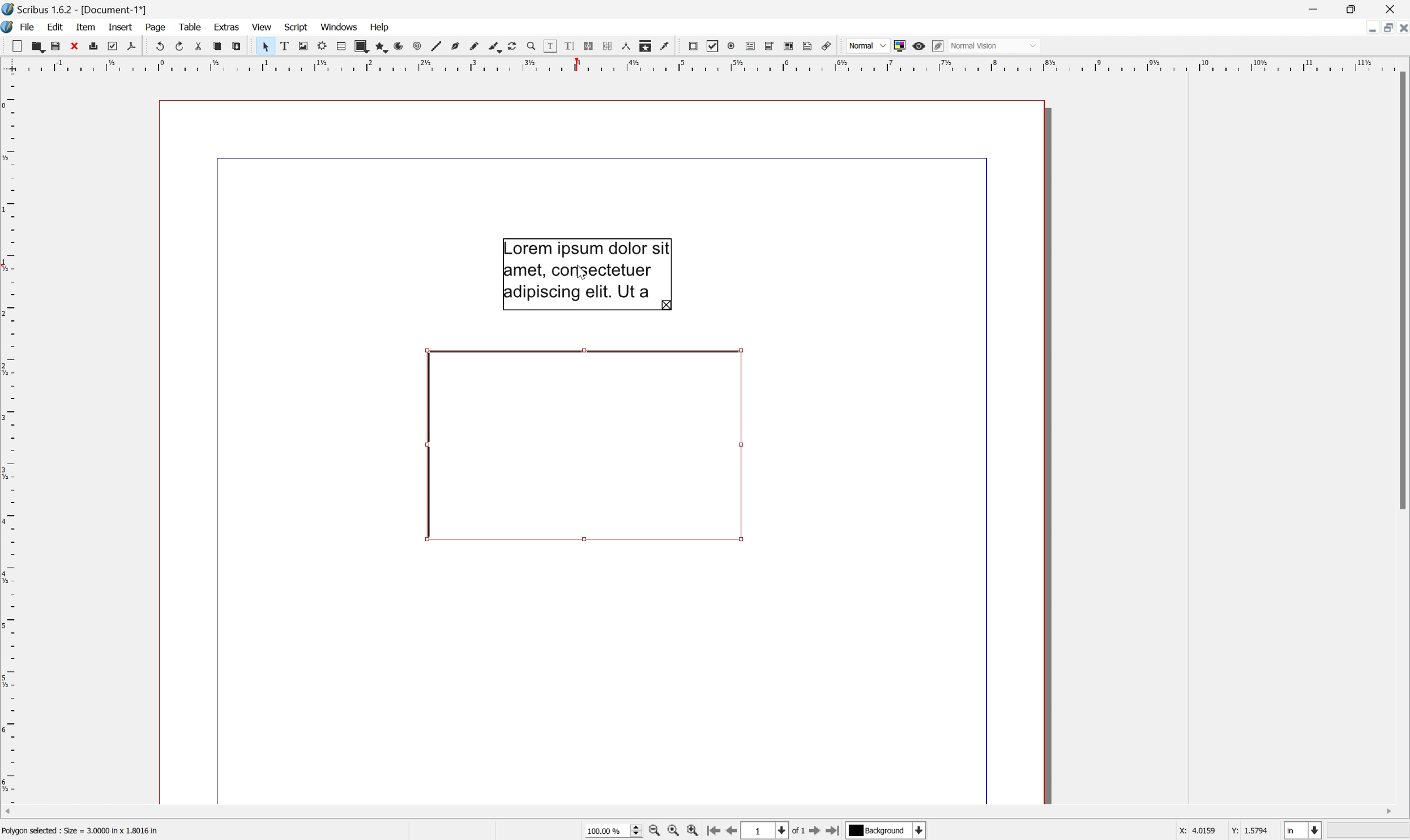 The image size is (1410, 840). What do you see at coordinates (666, 46) in the screenshot?
I see `Eye dropper` at bounding box center [666, 46].